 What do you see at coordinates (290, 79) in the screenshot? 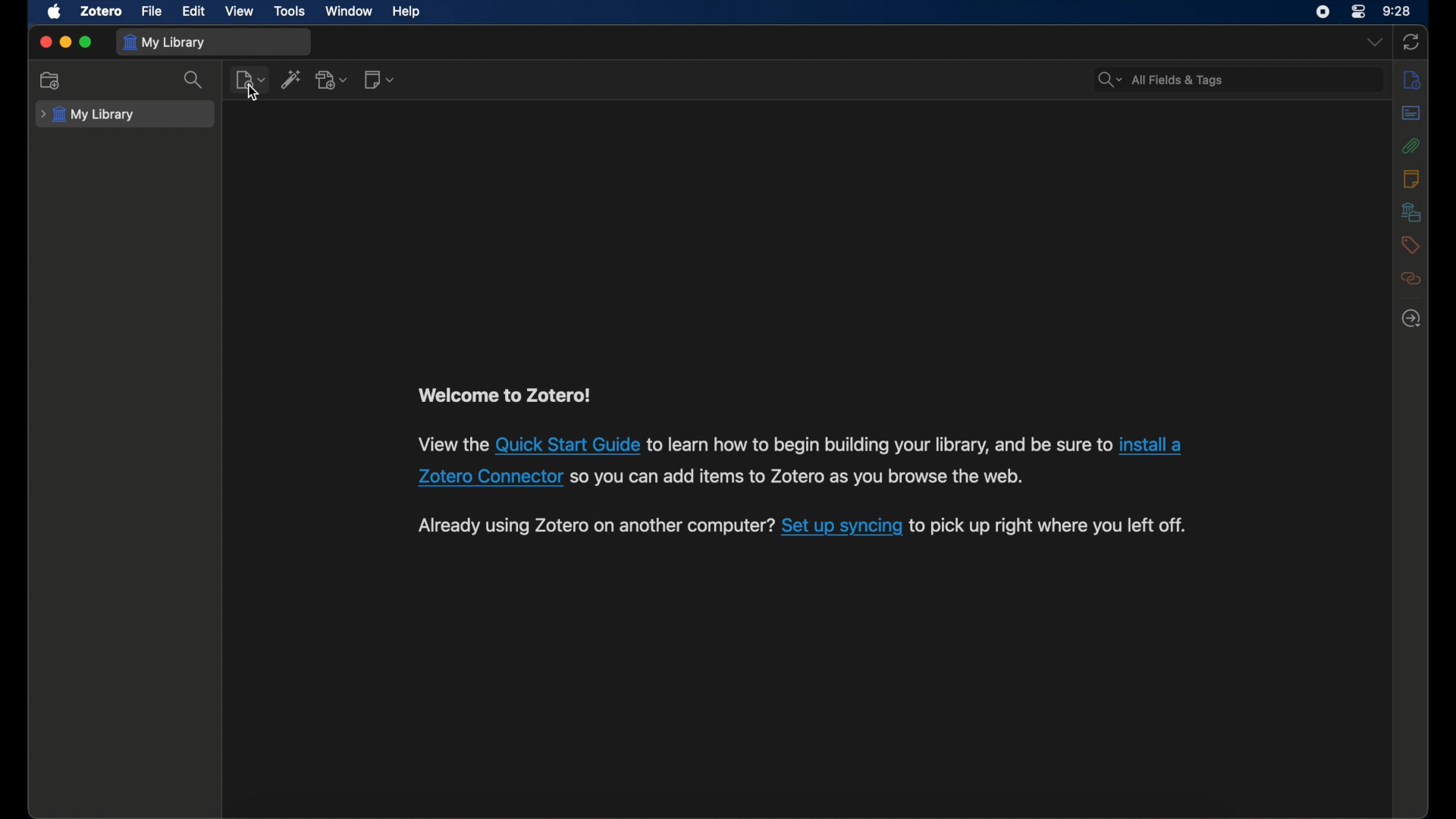
I see `add item by identifier` at bounding box center [290, 79].